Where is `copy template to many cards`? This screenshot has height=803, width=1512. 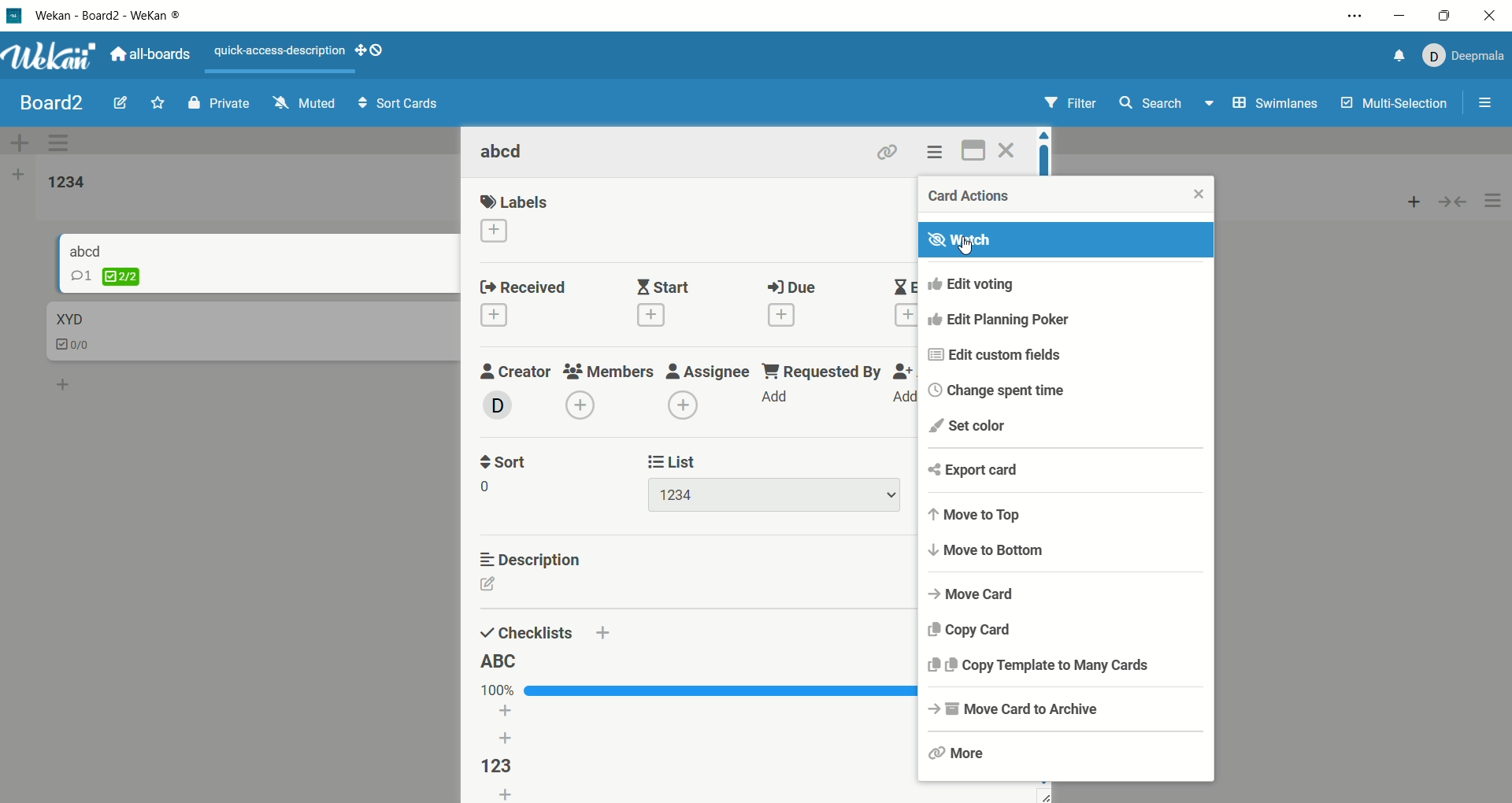
copy template to many cards is located at coordinates (1065, 669).